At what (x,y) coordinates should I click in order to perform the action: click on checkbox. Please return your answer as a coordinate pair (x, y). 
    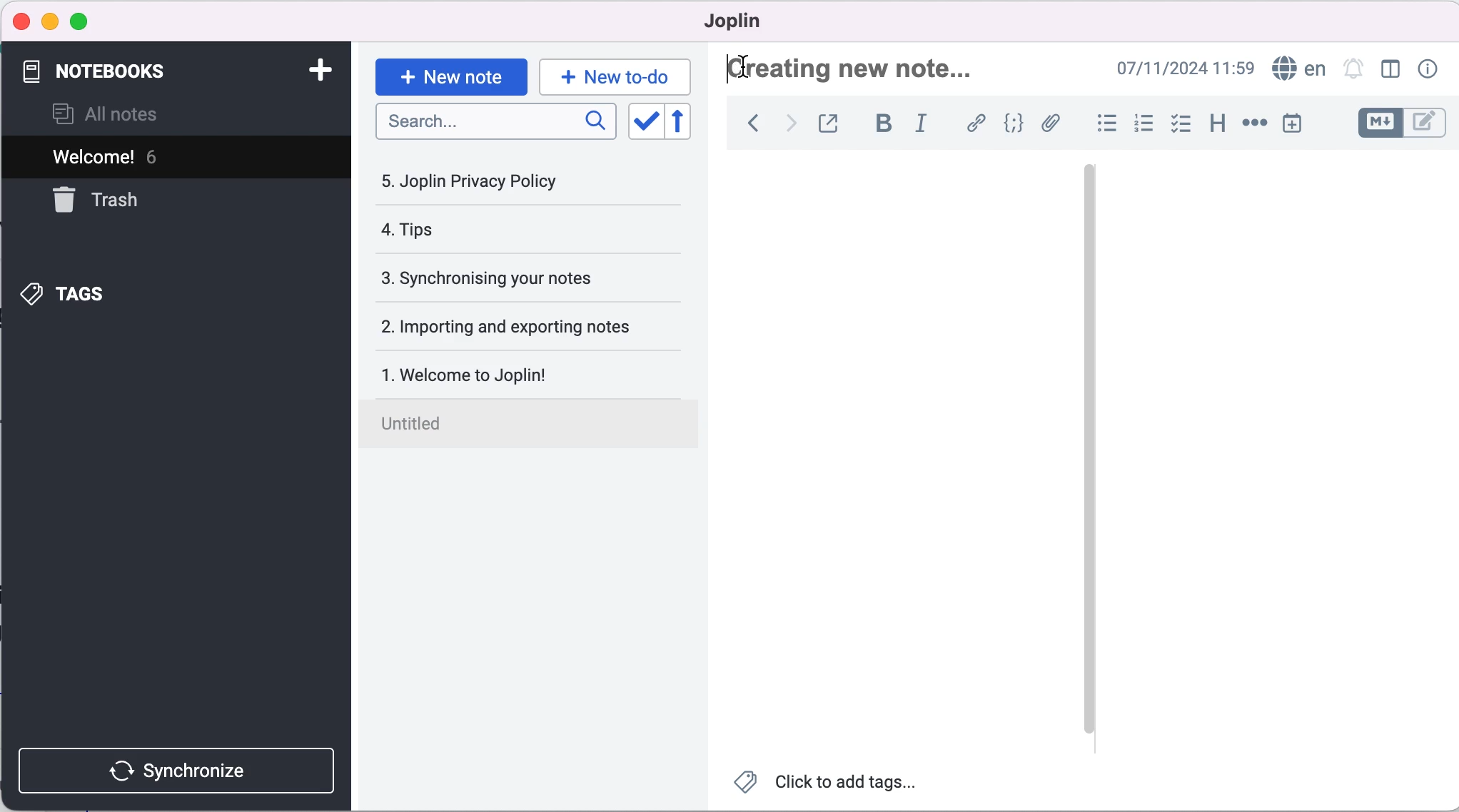
    Looking at the image, I should click on (1183, 123).